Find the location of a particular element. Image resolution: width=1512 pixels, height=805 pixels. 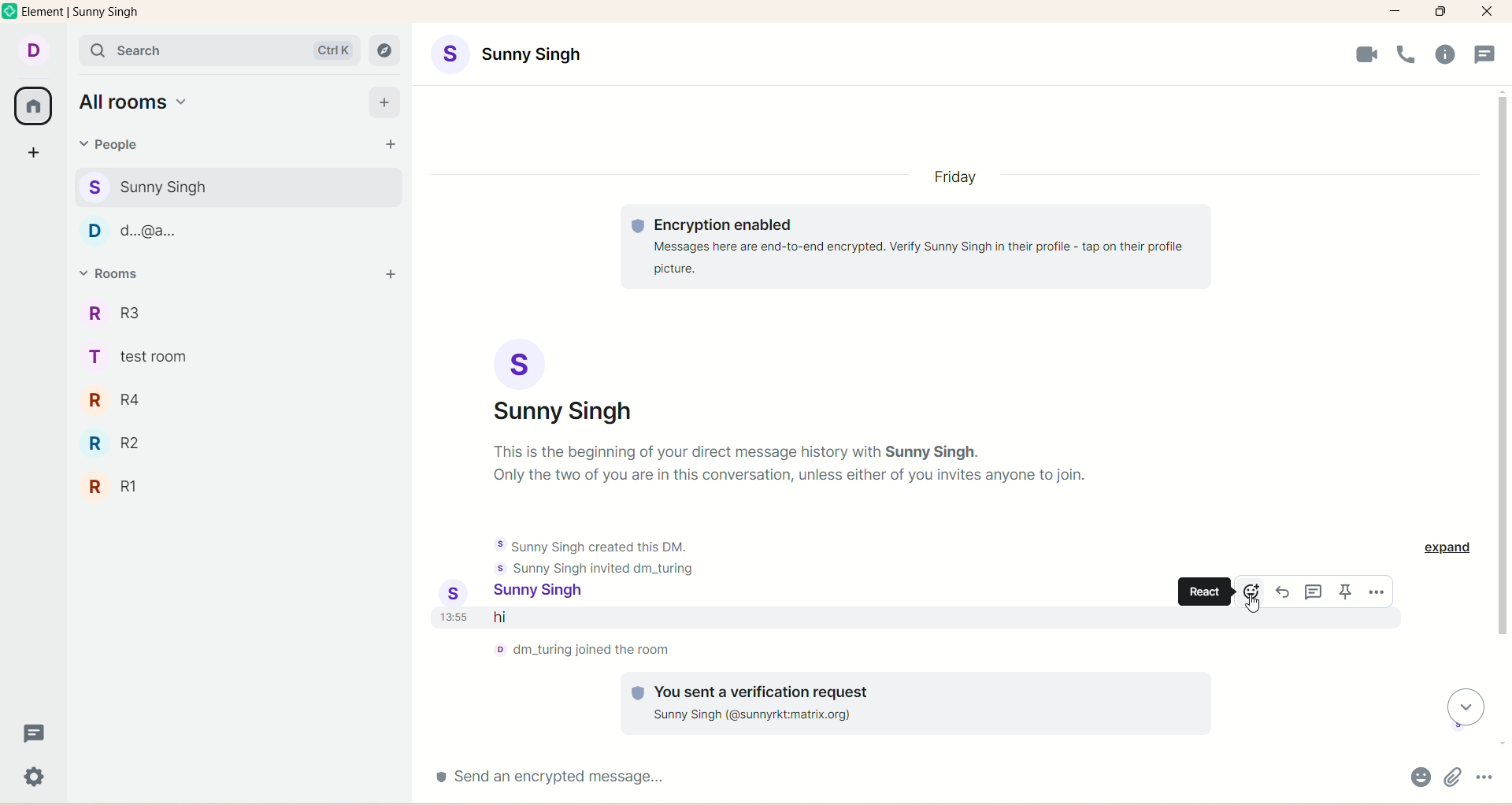

text is located at coordinates (791, 464).